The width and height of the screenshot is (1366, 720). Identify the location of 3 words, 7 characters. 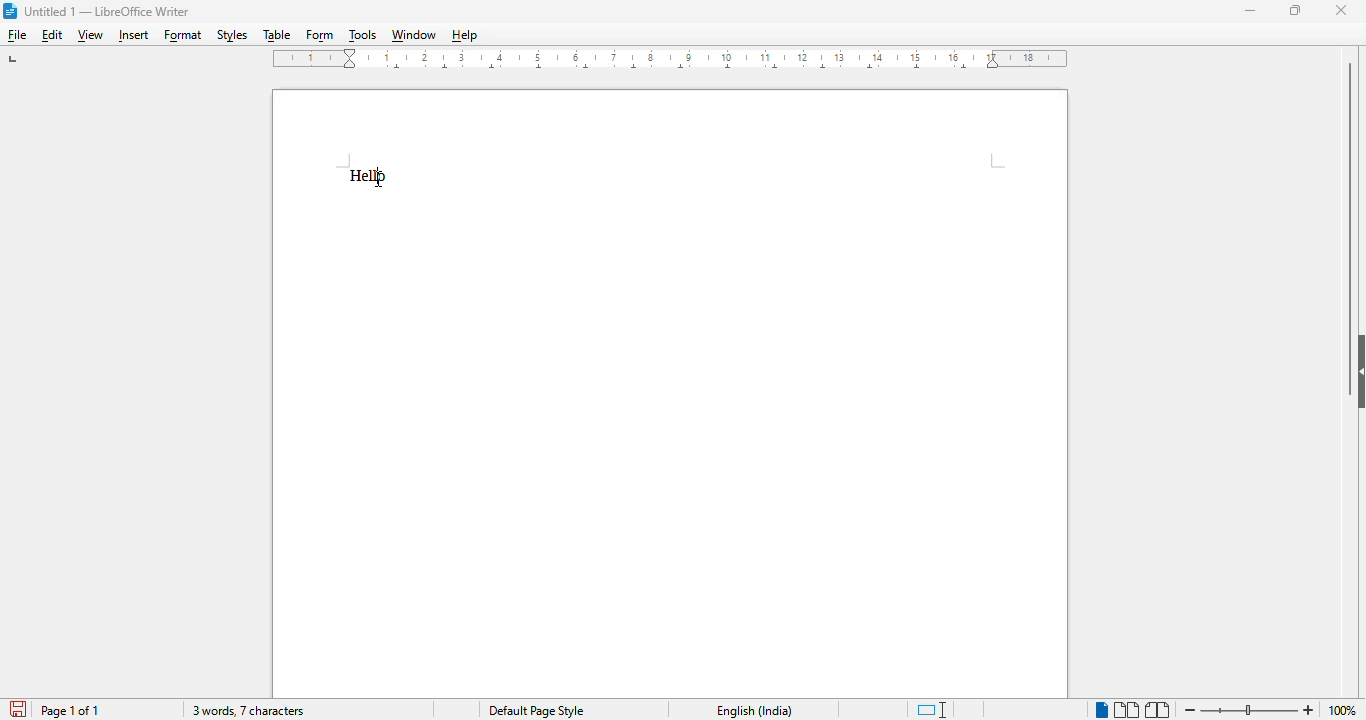
(247, 710).